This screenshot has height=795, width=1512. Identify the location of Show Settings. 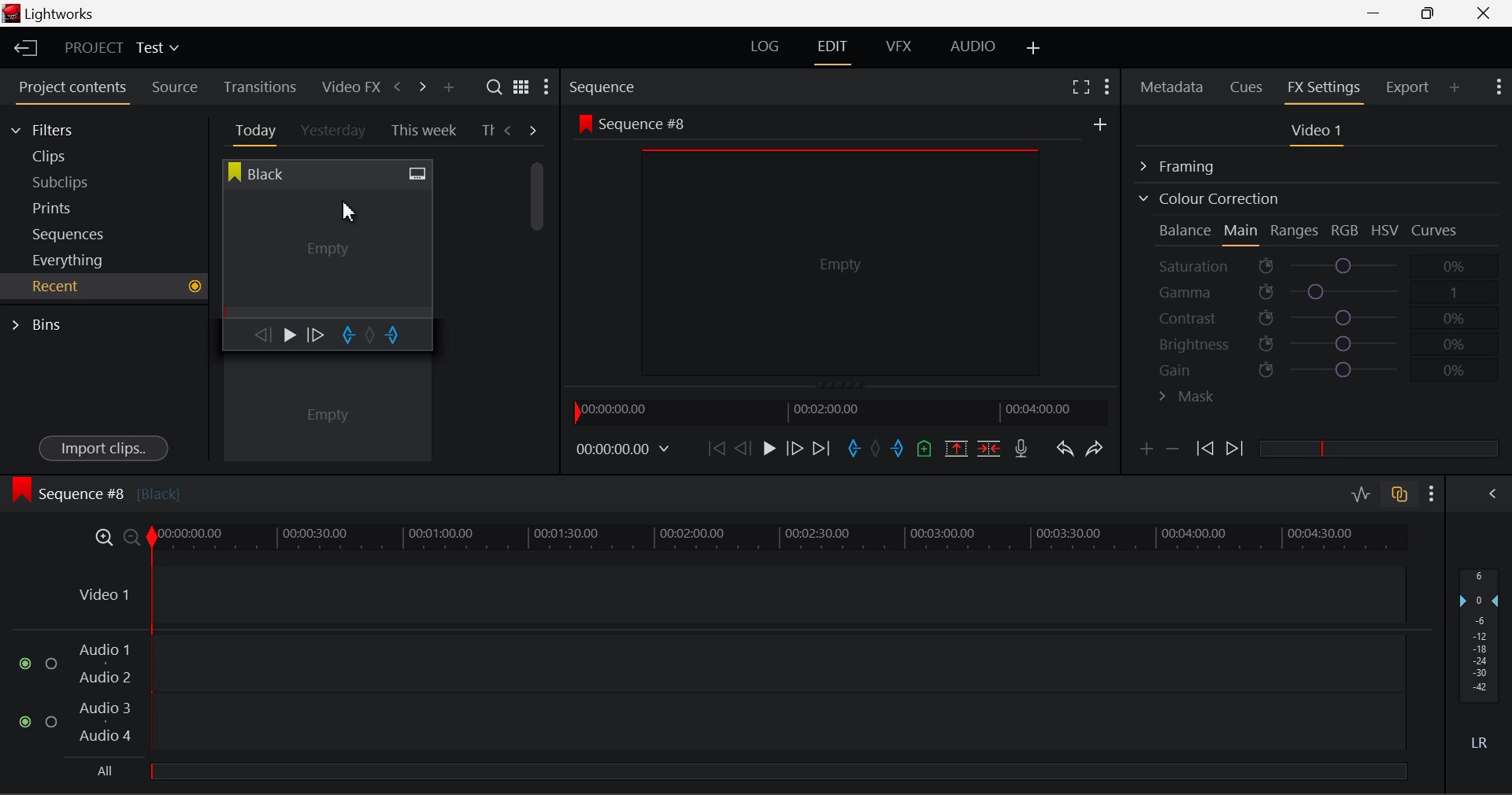
(1106, 84).